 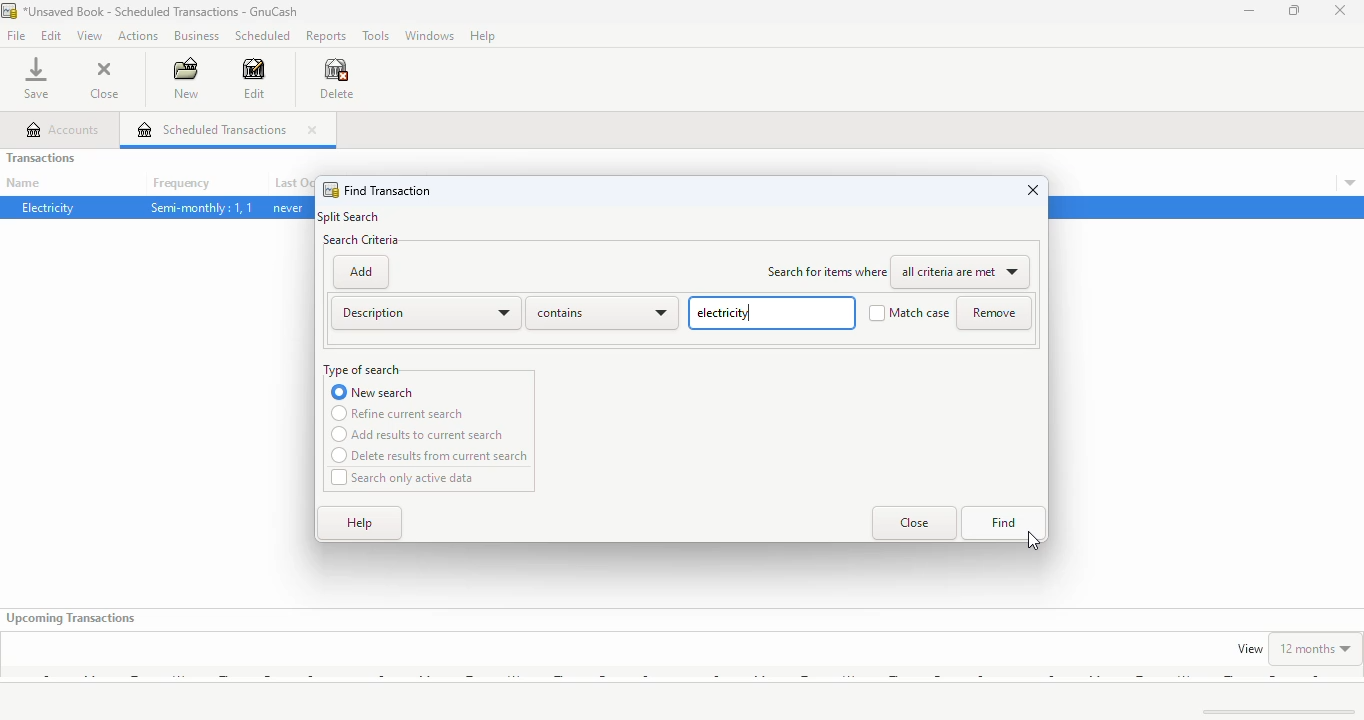 I want to click on minimize, so click(x=1249, y=10).